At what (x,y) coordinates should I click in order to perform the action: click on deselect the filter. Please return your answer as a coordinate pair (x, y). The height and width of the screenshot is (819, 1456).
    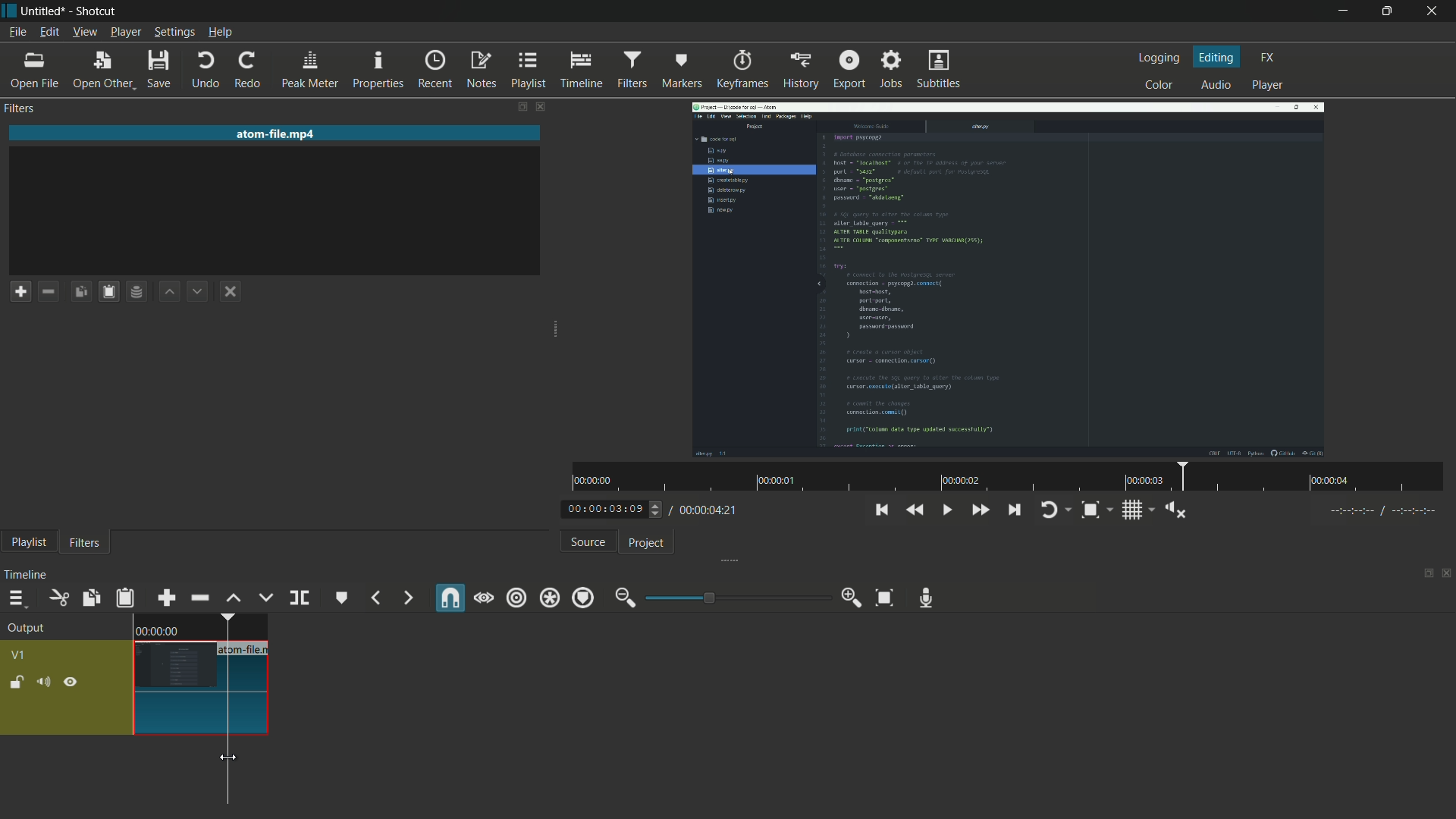
    Looking at the image, I should click on (231, 293).